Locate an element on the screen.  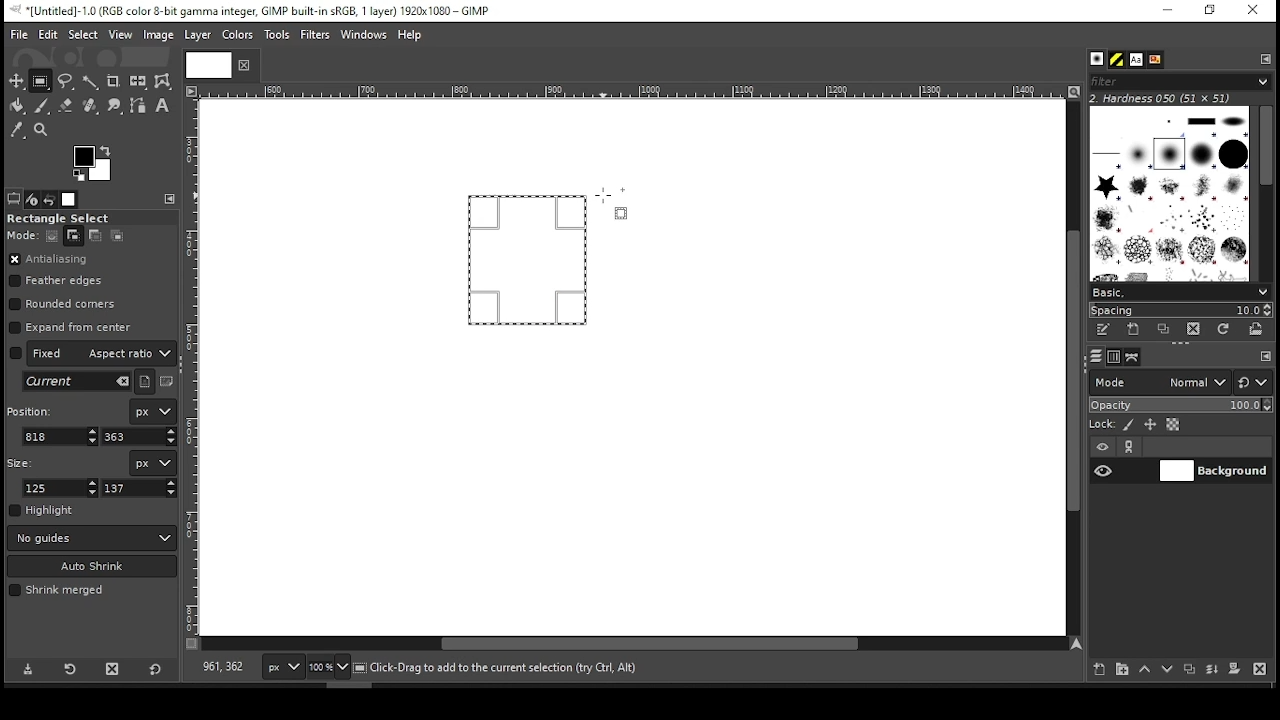
pattern is located at coordinates (1117, 60).